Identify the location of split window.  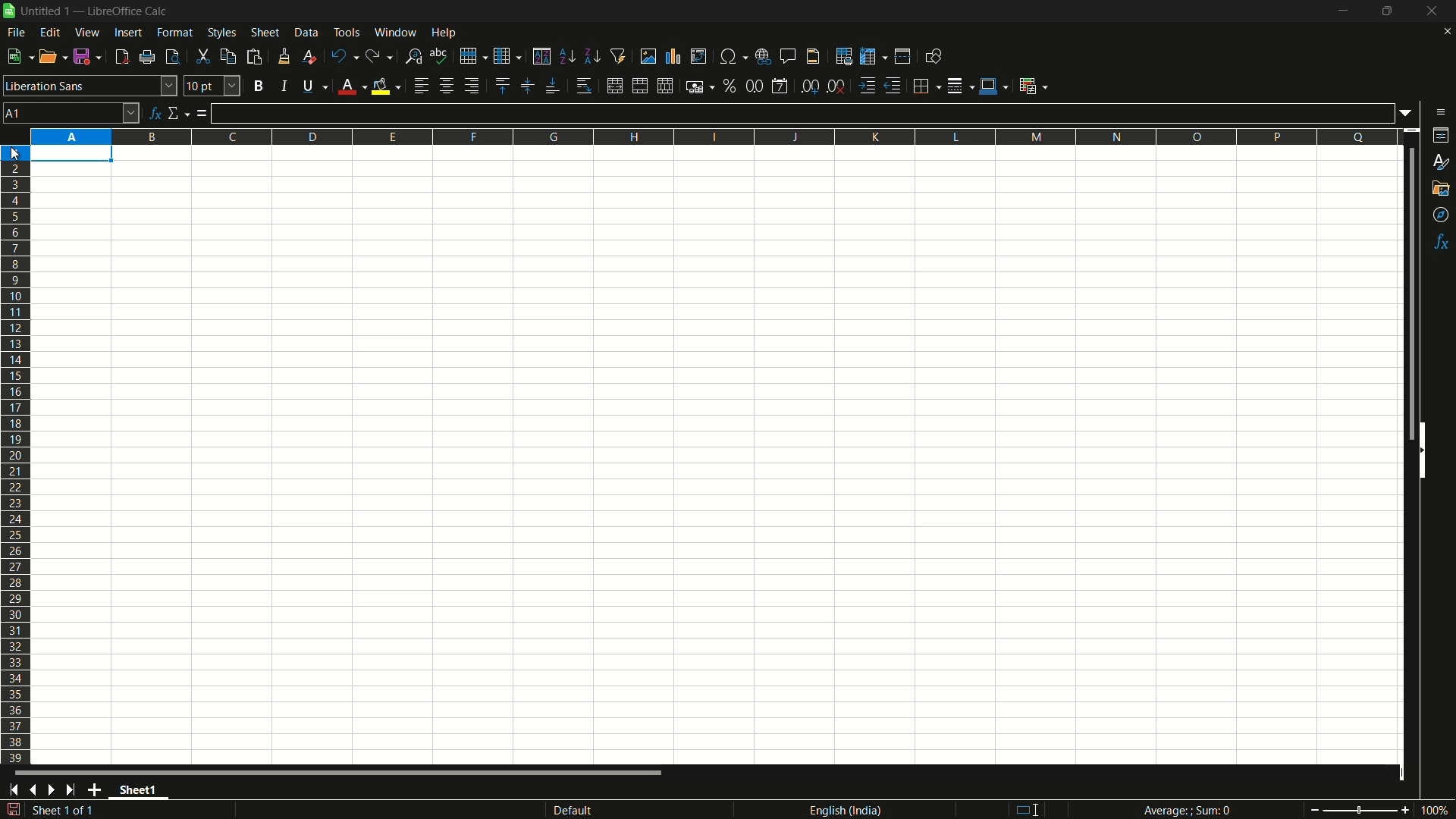
(902, 57).